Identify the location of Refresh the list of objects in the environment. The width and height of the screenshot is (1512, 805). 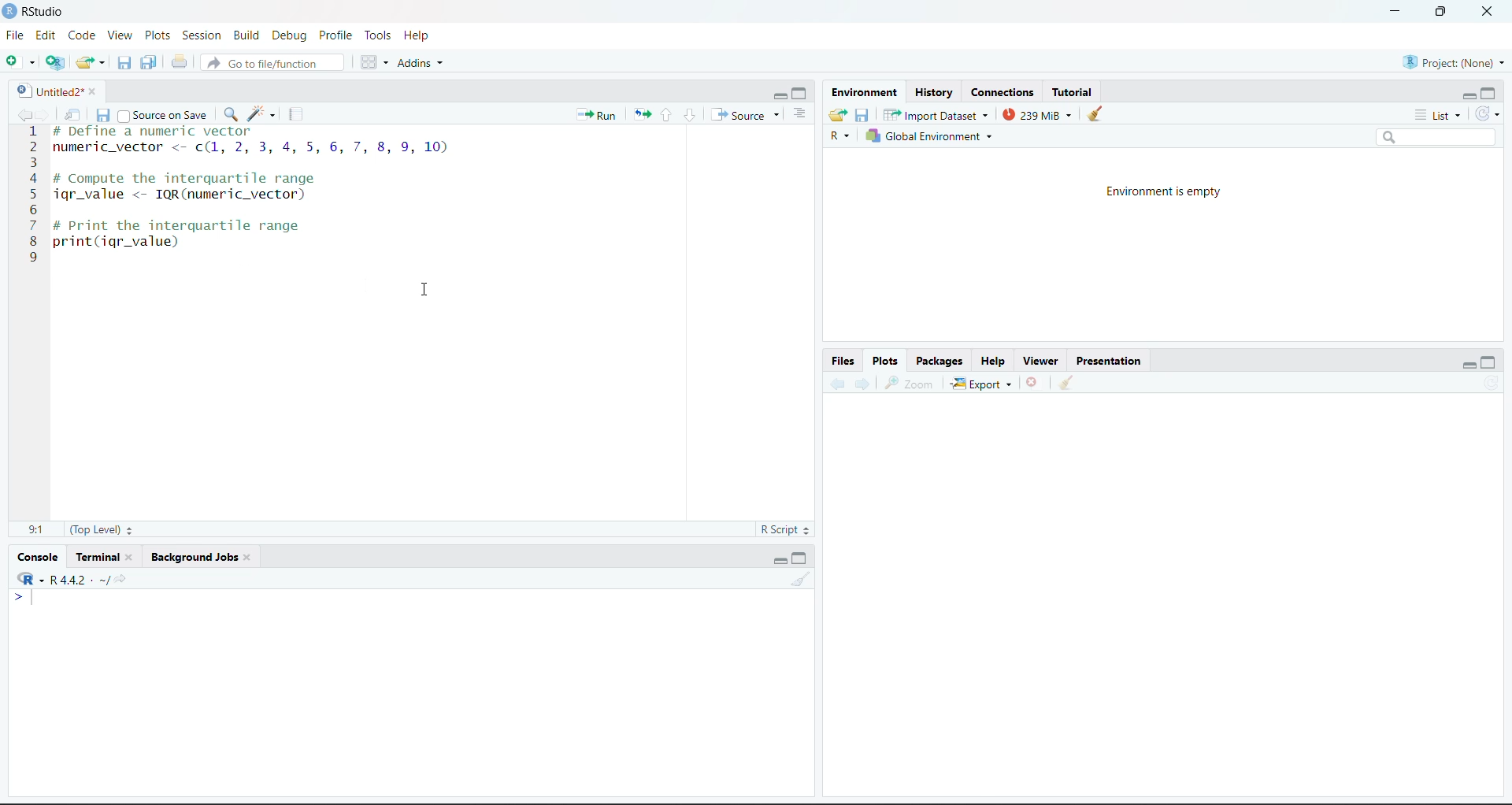
(1492, 117).